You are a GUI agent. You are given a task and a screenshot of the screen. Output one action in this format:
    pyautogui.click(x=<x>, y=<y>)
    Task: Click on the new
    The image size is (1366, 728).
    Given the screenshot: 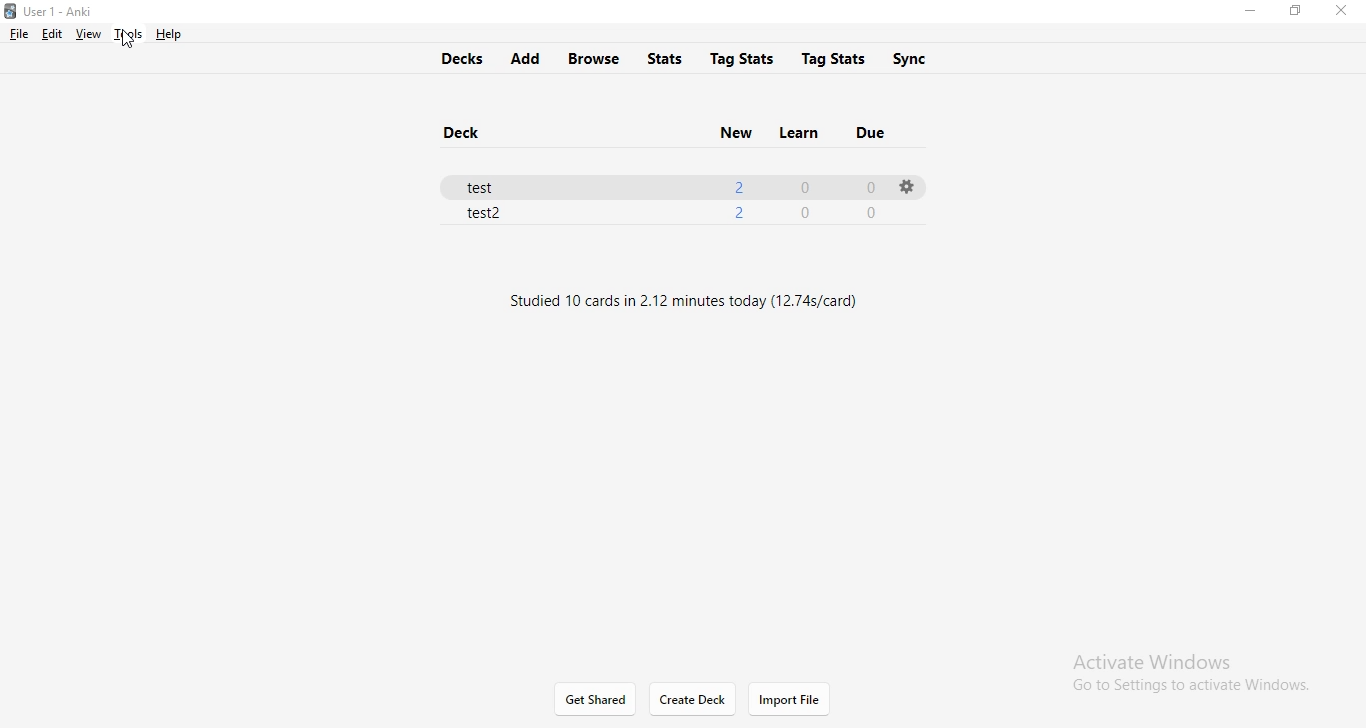 What is the action you would take?
    pyautogui.click(x=734, y=131)
    